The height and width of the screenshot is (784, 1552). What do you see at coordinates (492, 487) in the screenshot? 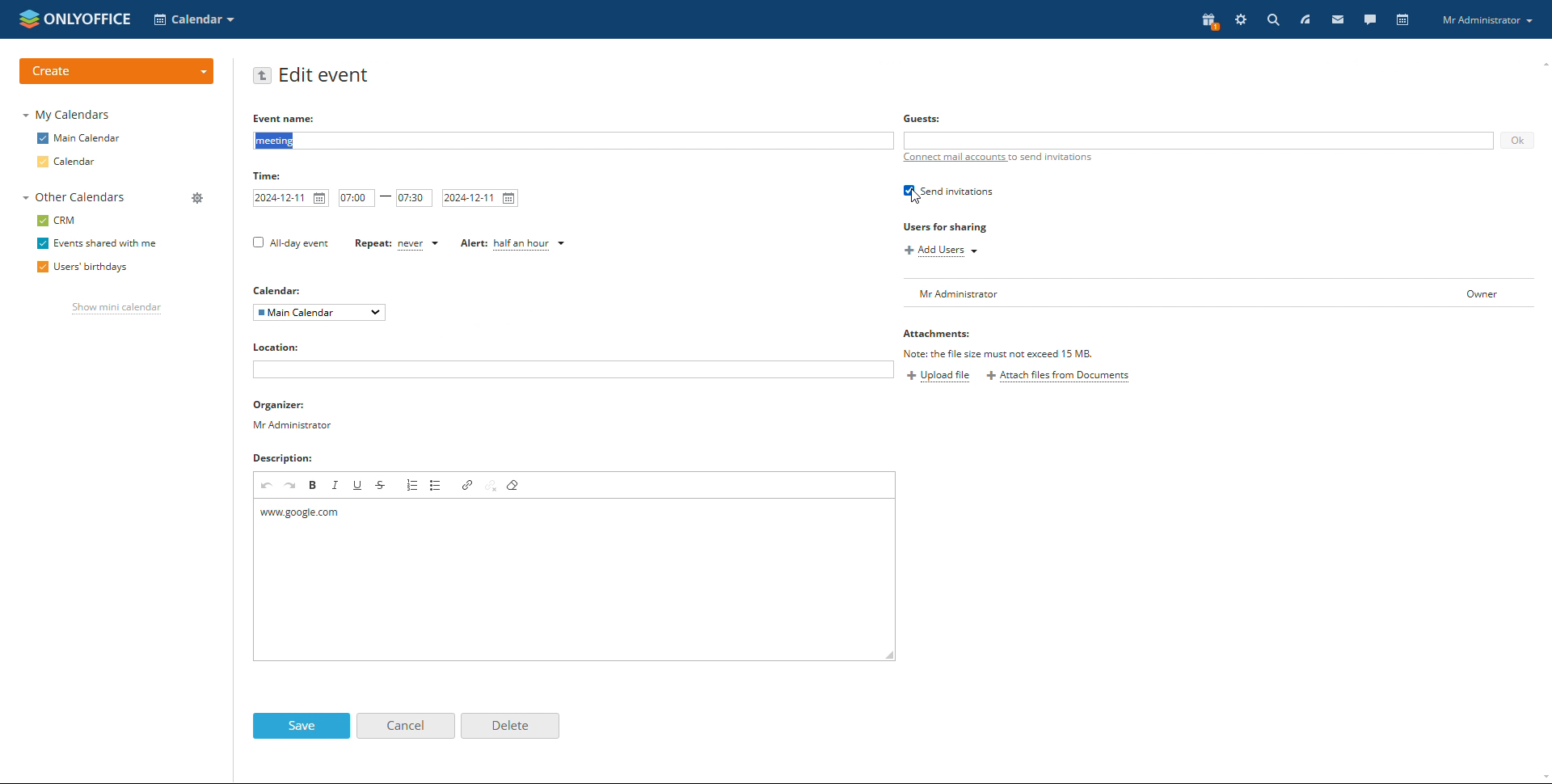
I see `unlink` at bounding box center [492, 487].